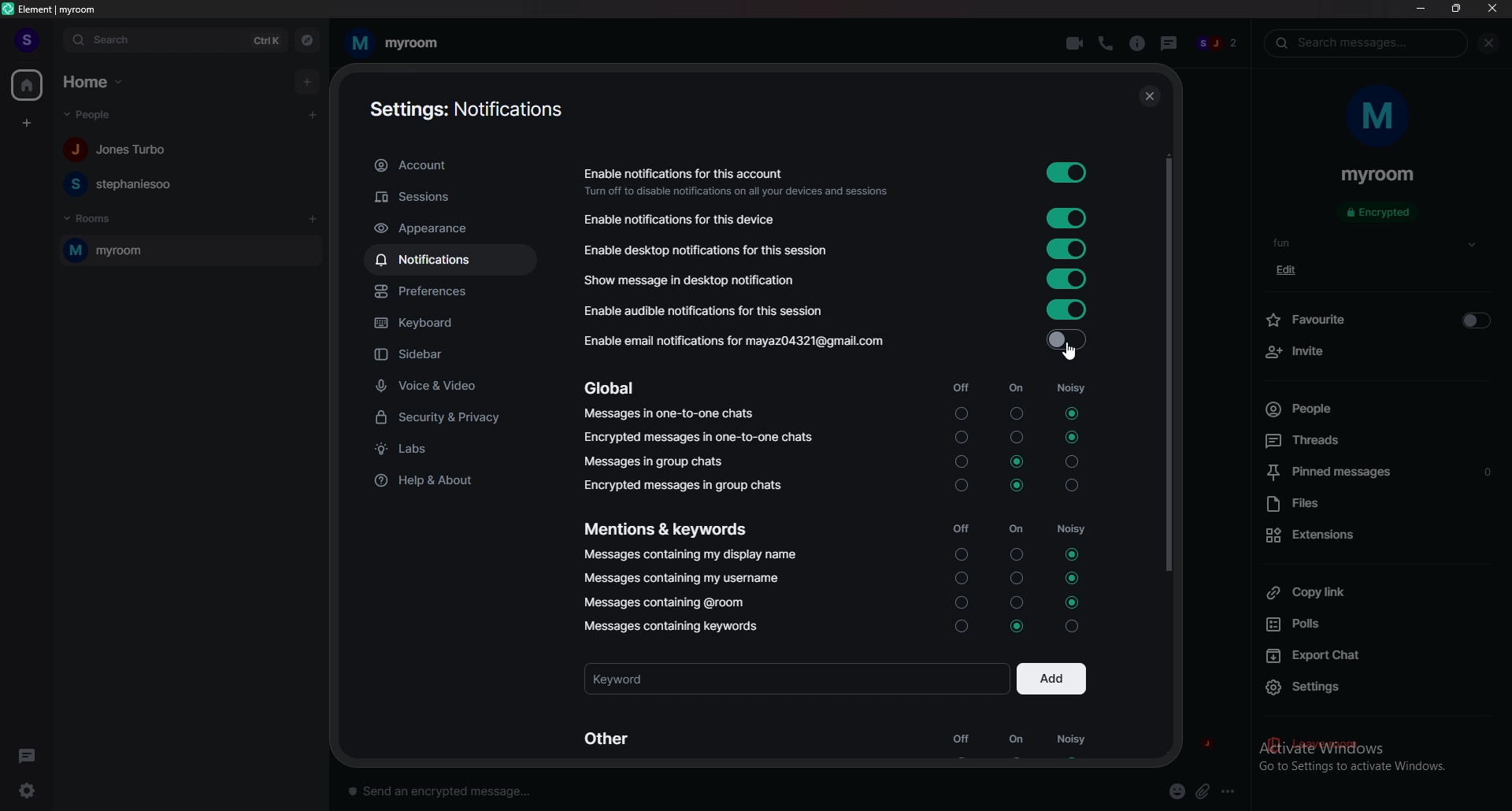 This screenshot has height=811, width=1512. I want to click on enable email notifications, so click(832, 339).